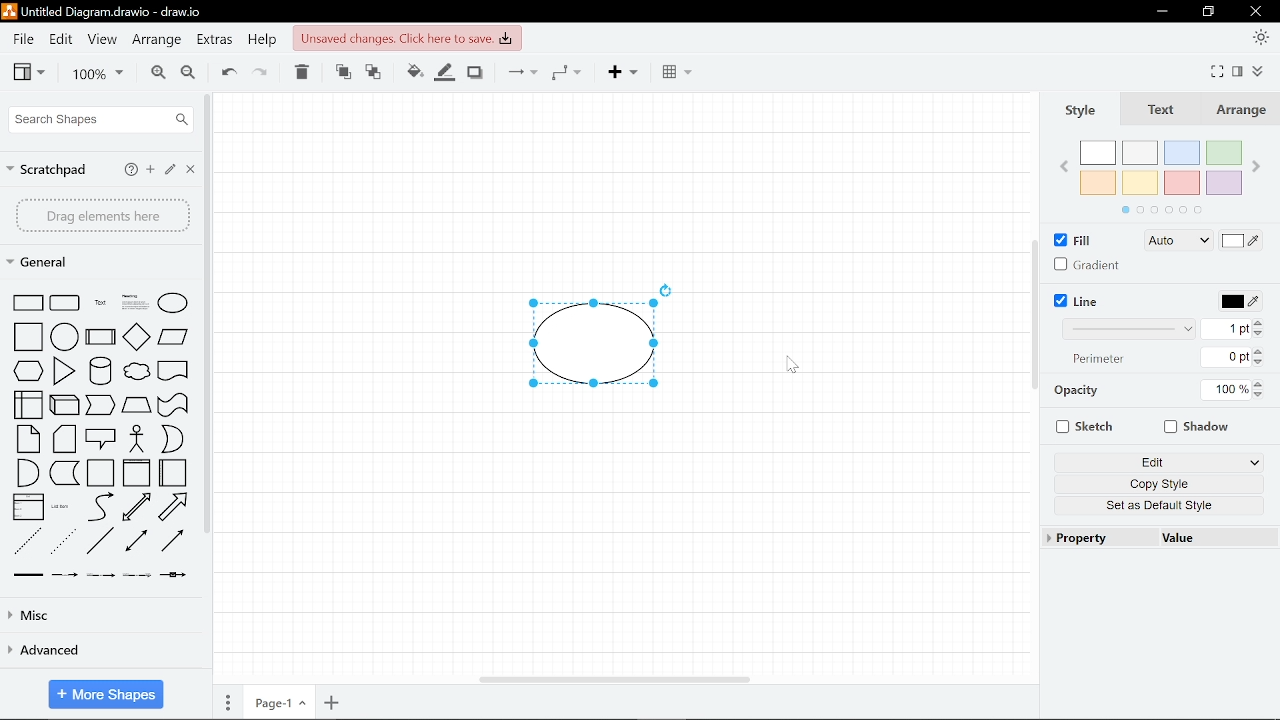 The height and width of the screenshot is (720, 1280). I want to click on property, so click(1082, 537).